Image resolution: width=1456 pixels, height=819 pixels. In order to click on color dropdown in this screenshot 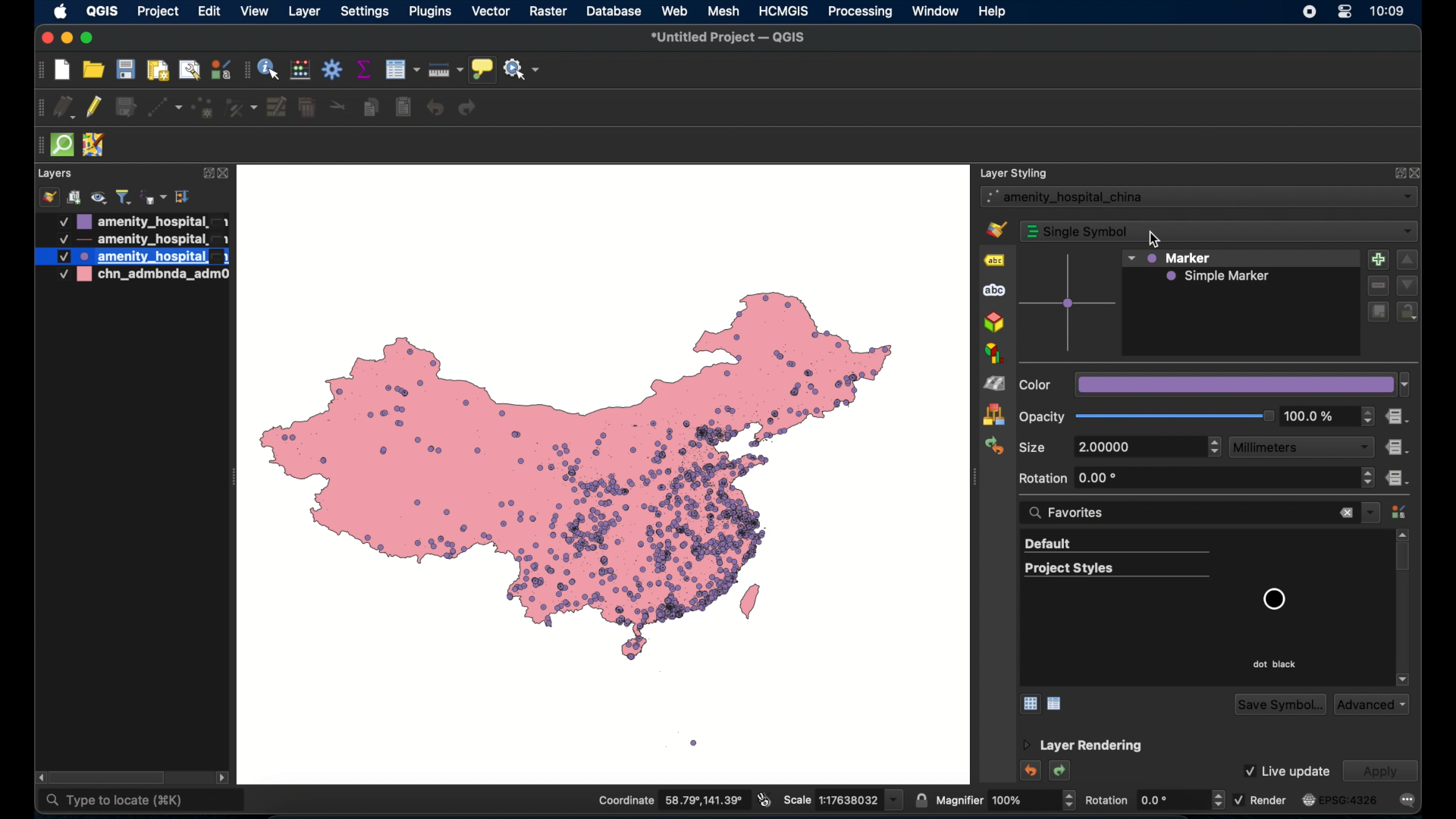, I will do `click(1216, 384)`.